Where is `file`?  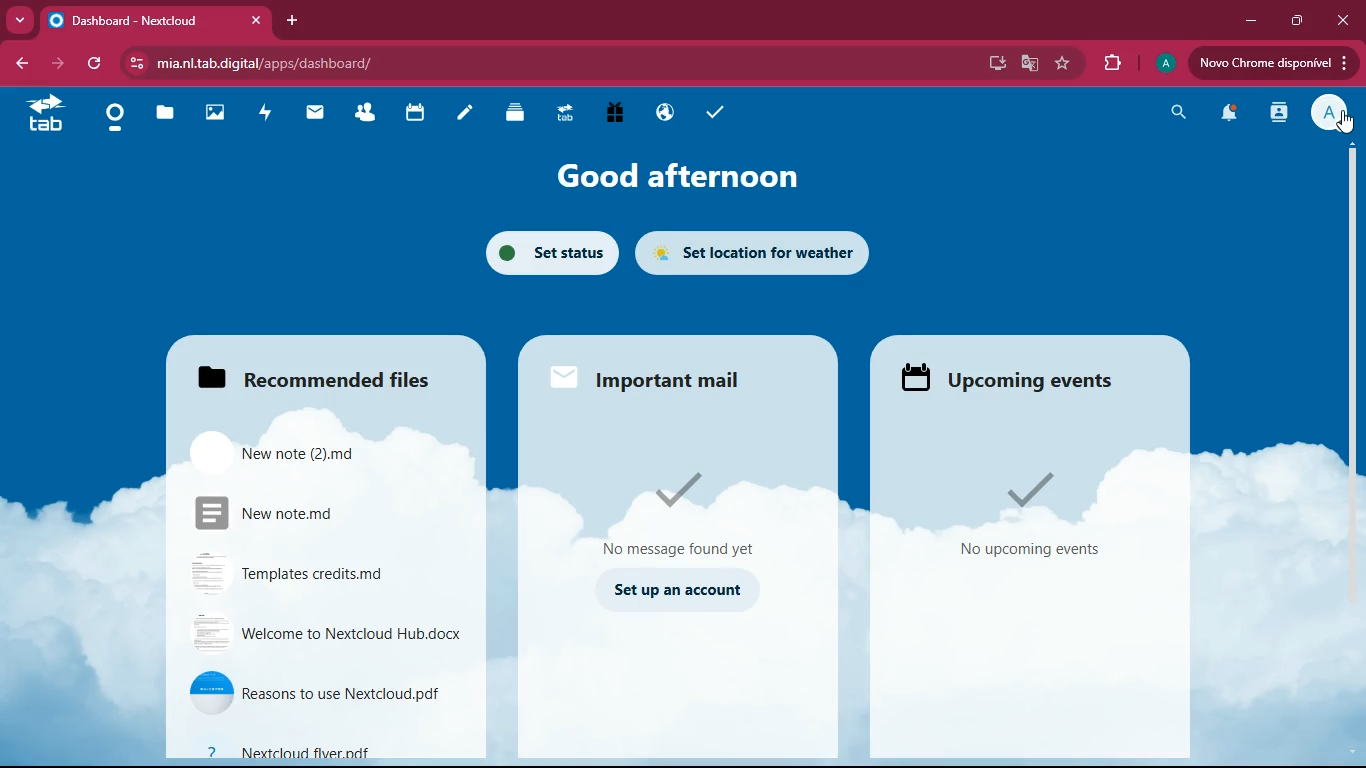
file is located at coordinates (328, 633).